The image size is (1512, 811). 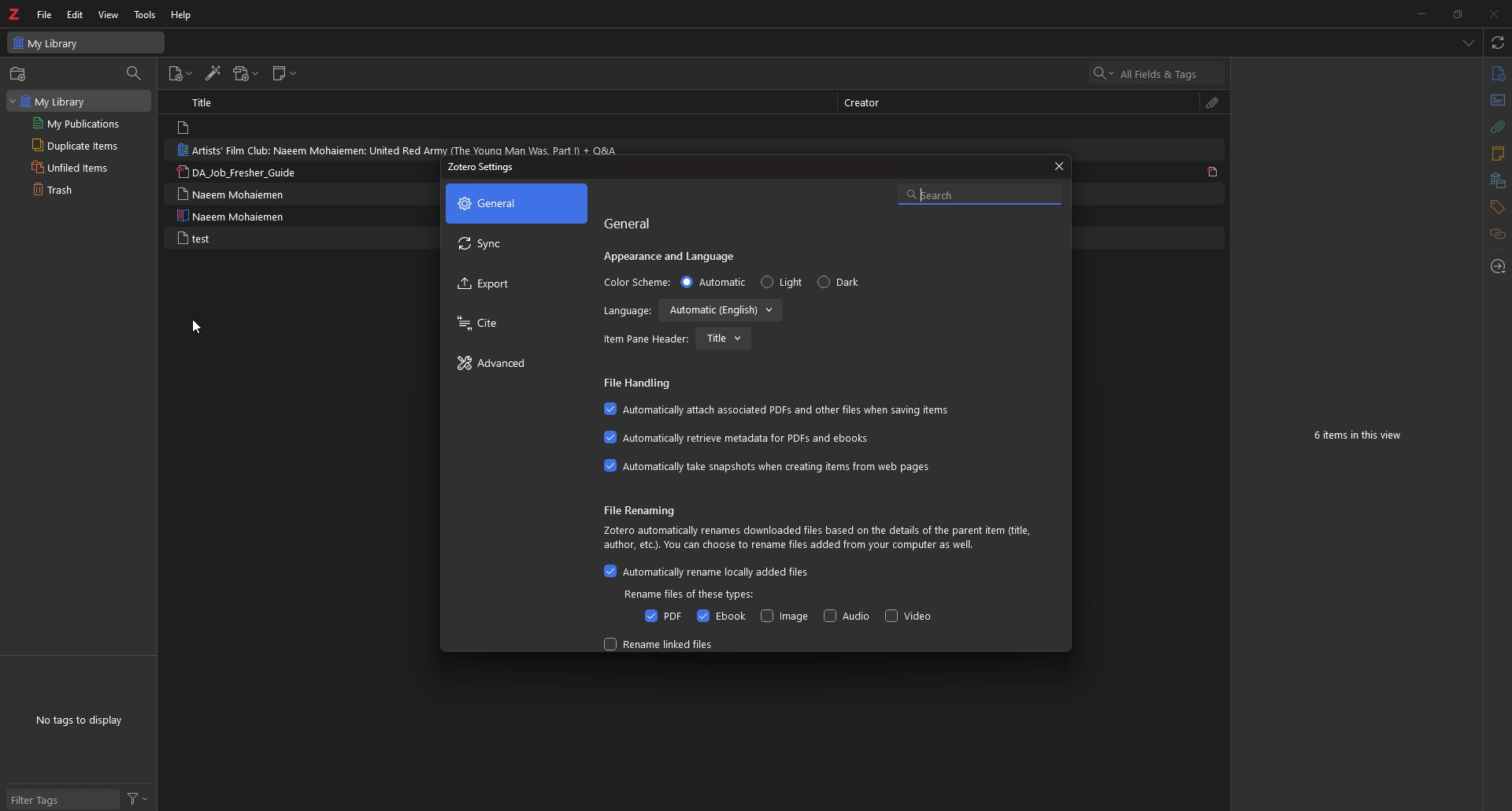 What do you see at coordinates (767, 466) in the screenshot?
I see `automatically take snapshots when creating items from webpages` at bounding box center [767, 466].